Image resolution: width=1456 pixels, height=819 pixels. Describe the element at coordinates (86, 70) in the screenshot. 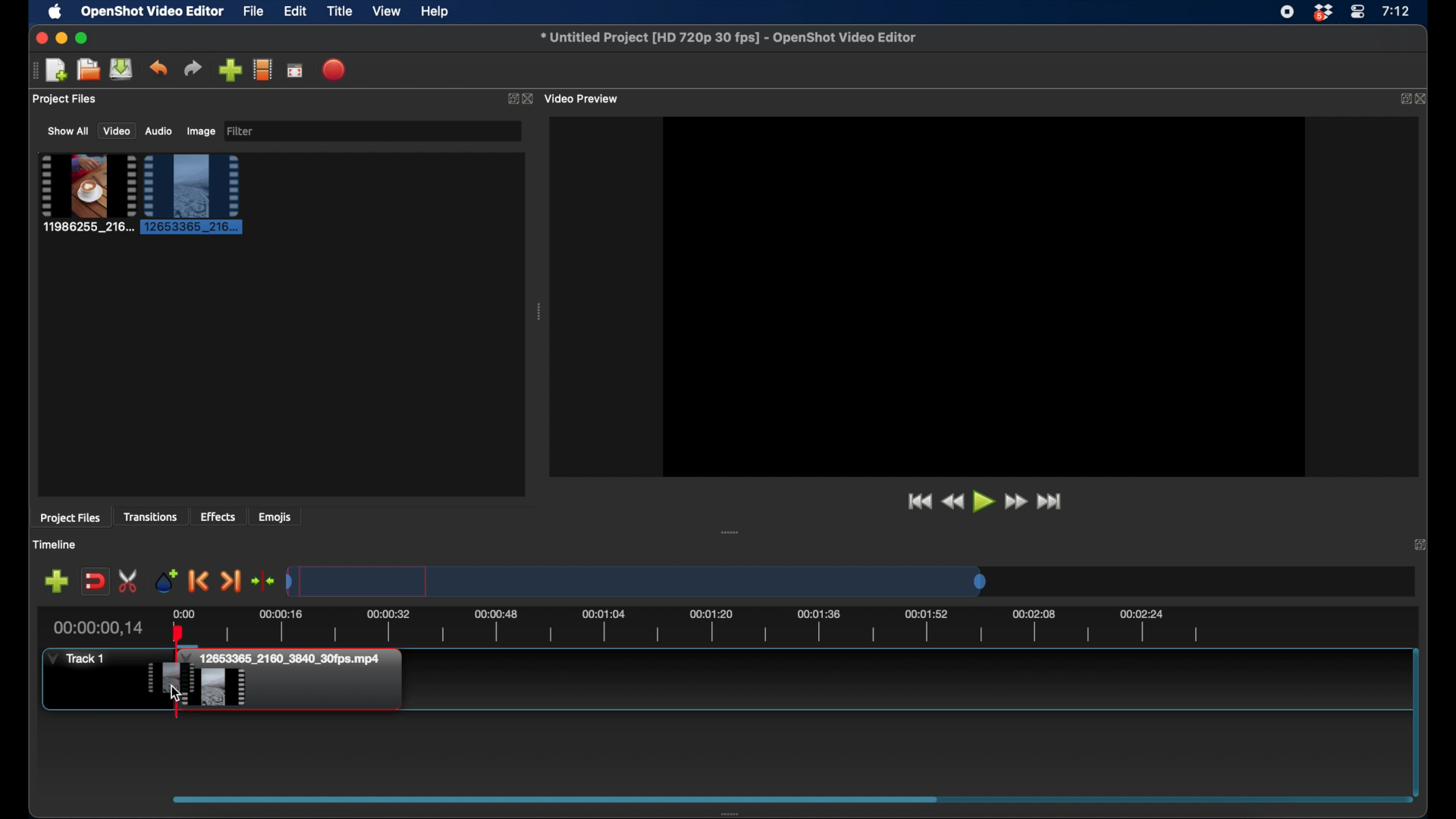

I see `open project` at that location.